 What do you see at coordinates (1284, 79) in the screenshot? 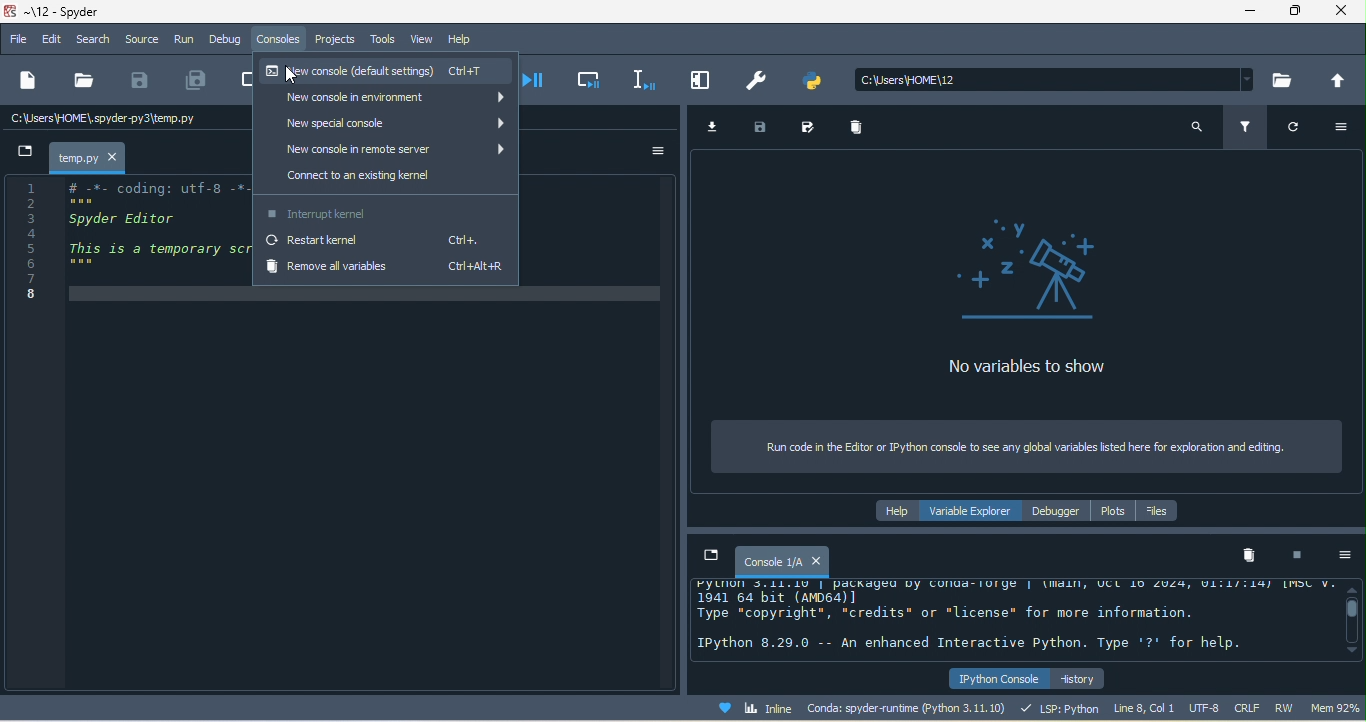
I see `browse` at bounding box center [1284, 79].